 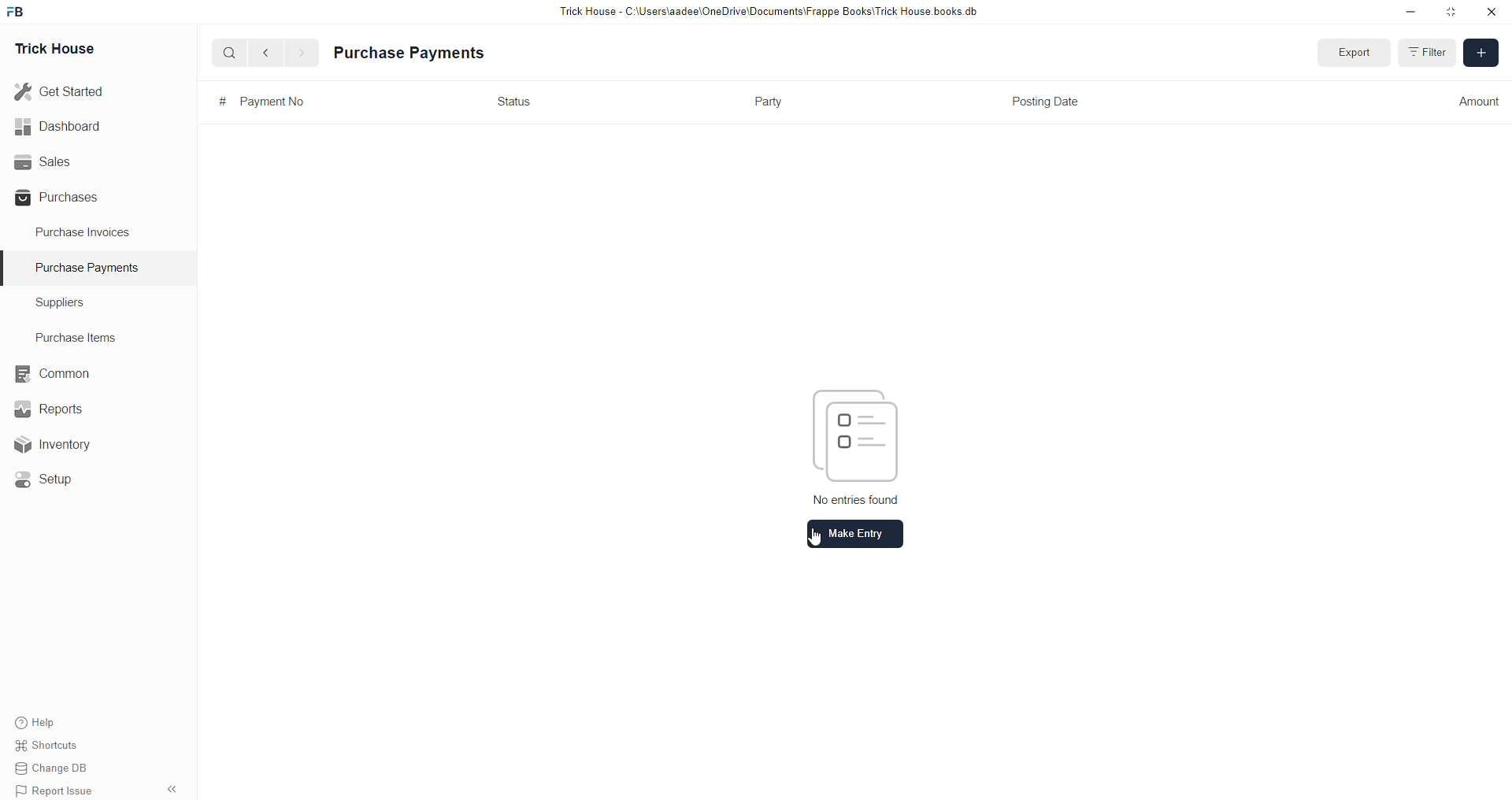 I want to click on Amount, so click(x=1477, y=101).